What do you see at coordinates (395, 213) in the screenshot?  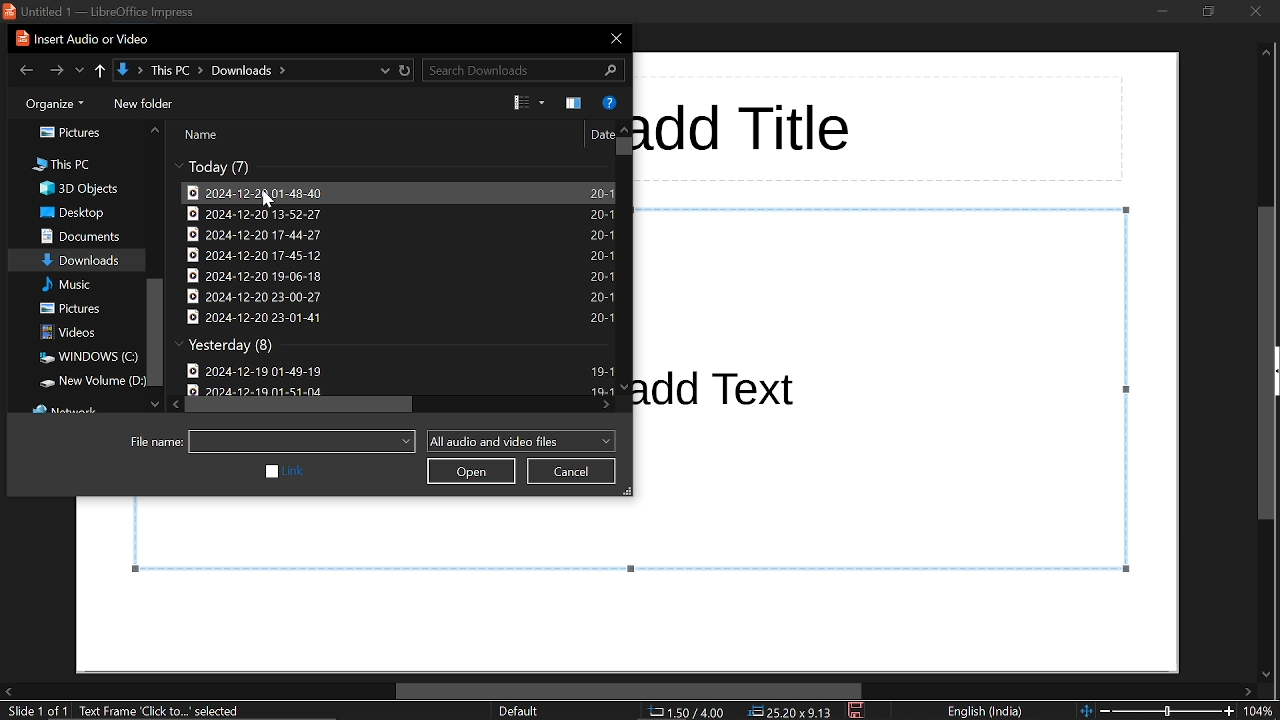 I see `file titled "2024-12-20 13-52-27"` at bounding box center [395, 213].